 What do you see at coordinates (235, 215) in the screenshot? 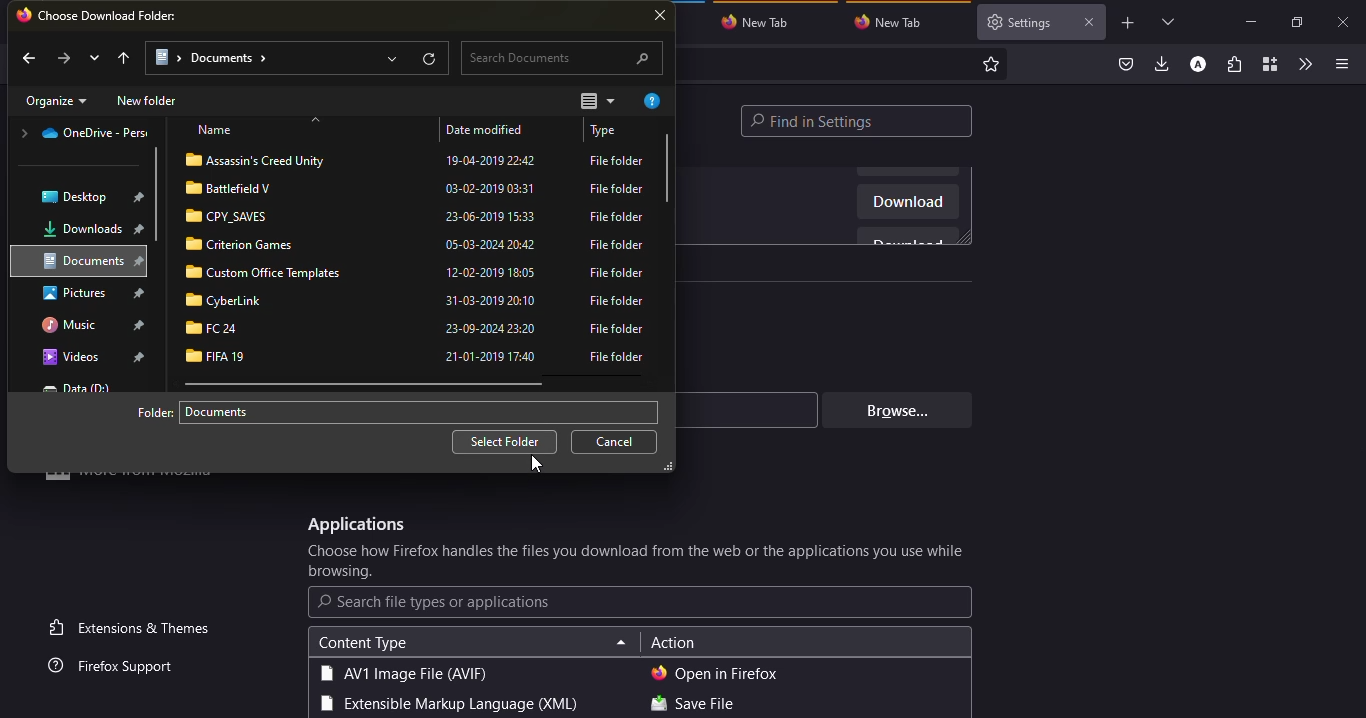
I see `folder` at bounding box center [235, 215].